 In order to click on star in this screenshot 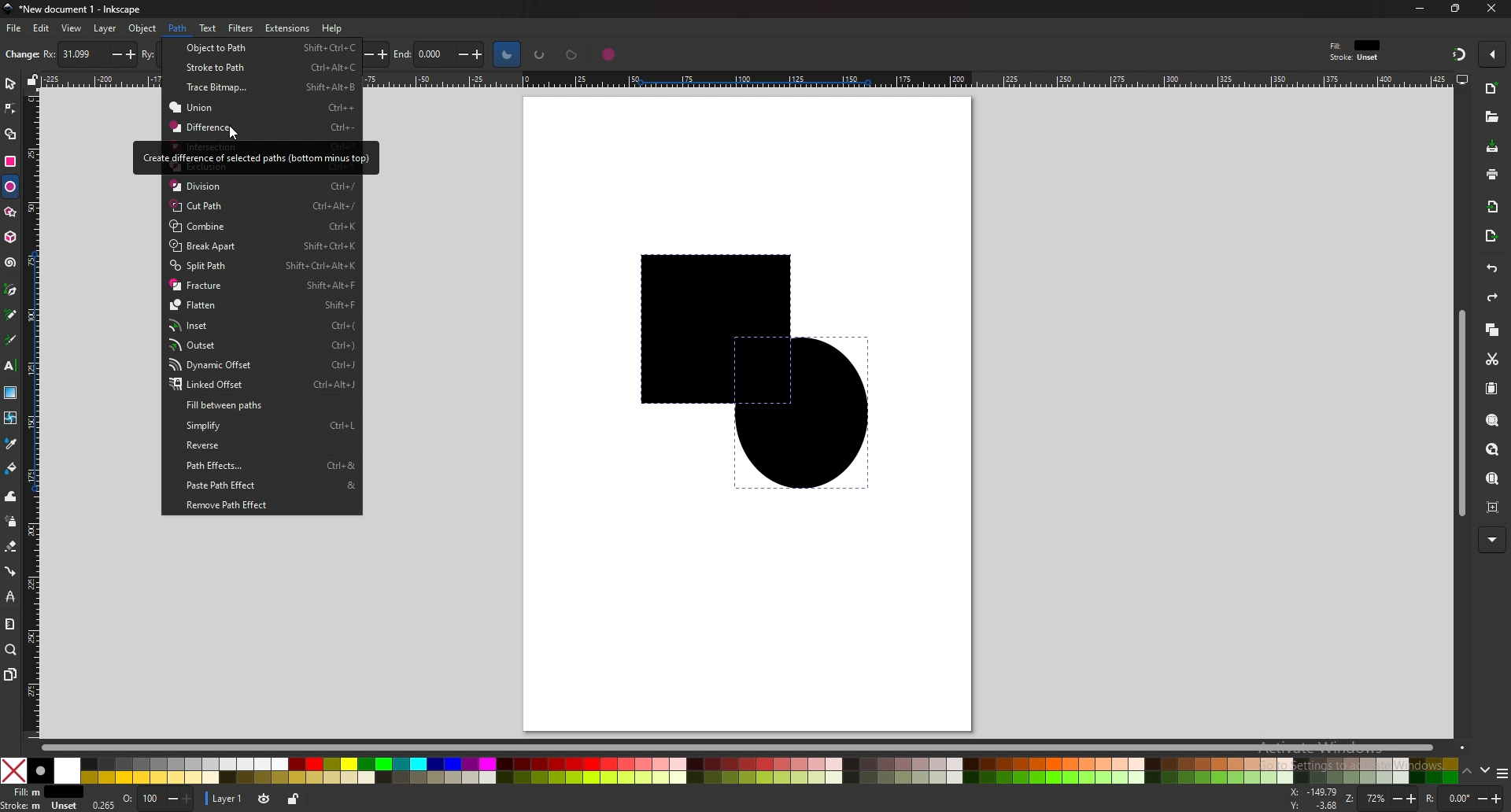, I will do `click(10, 212)`.